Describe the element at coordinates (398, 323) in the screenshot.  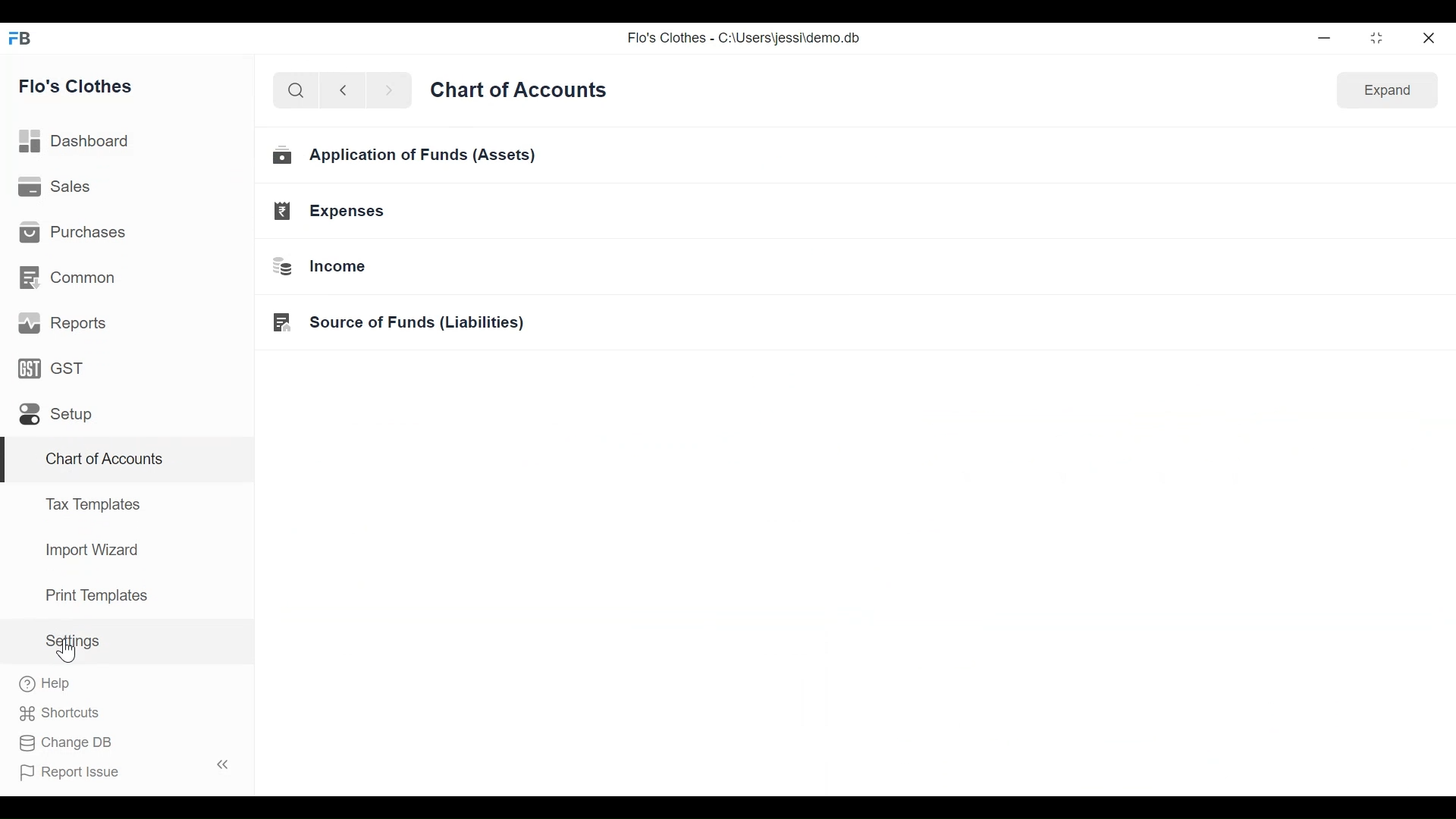
I see `source of funds (liabilities)` at that location.